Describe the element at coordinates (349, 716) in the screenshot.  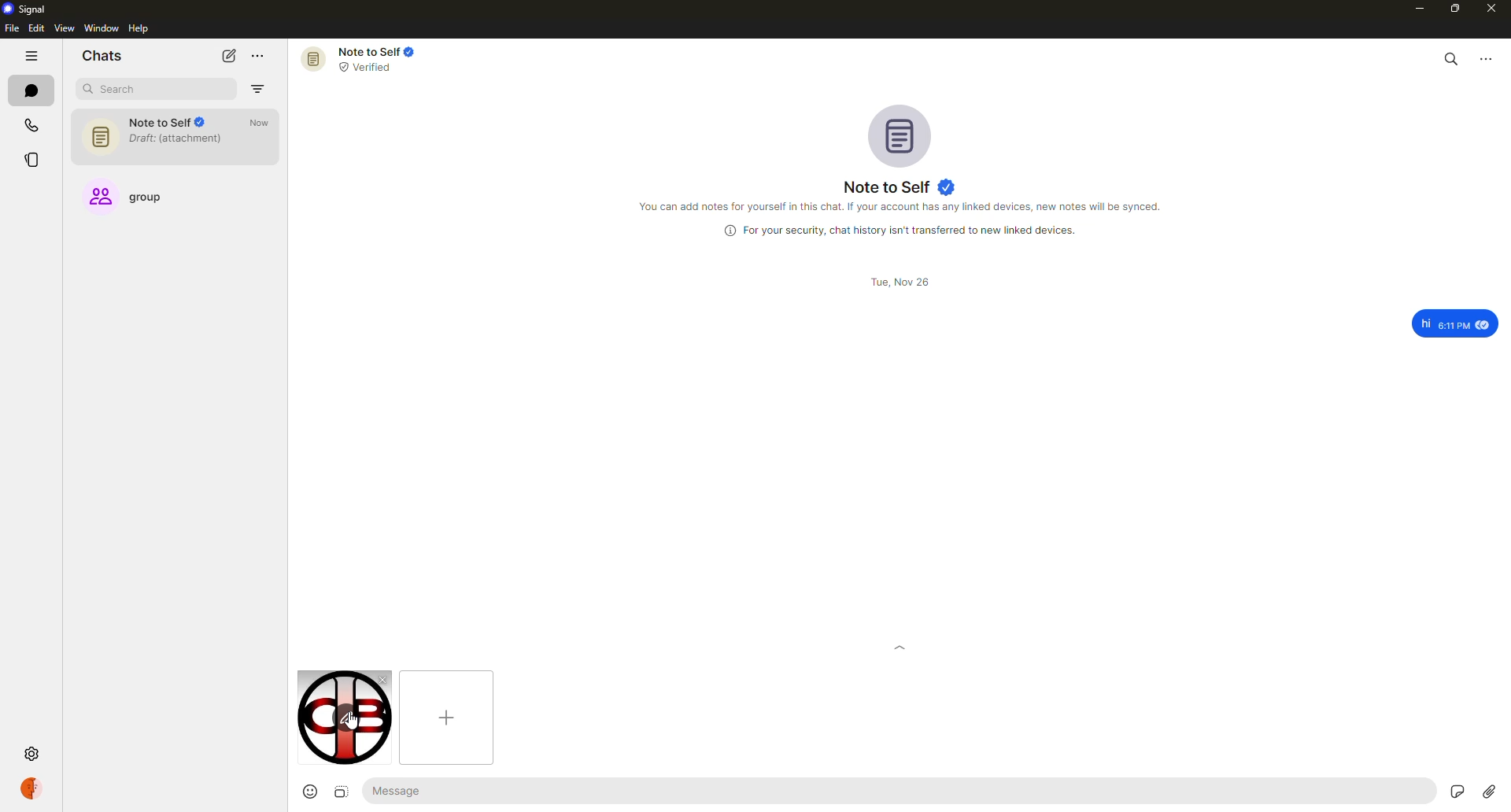
I see `cursor on edit` at that location.